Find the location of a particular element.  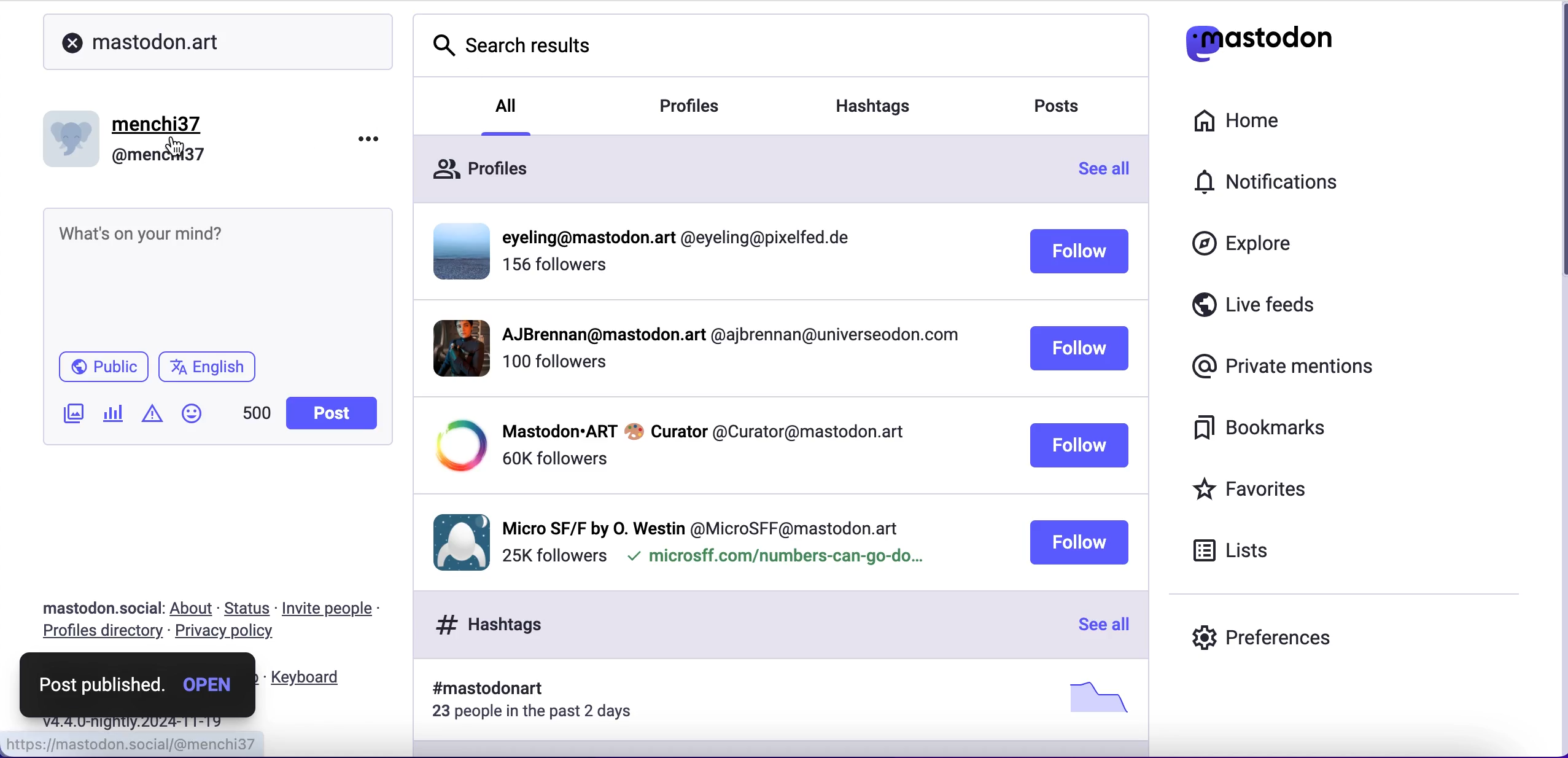

mastodon.social is located at coordinates (96, 605).